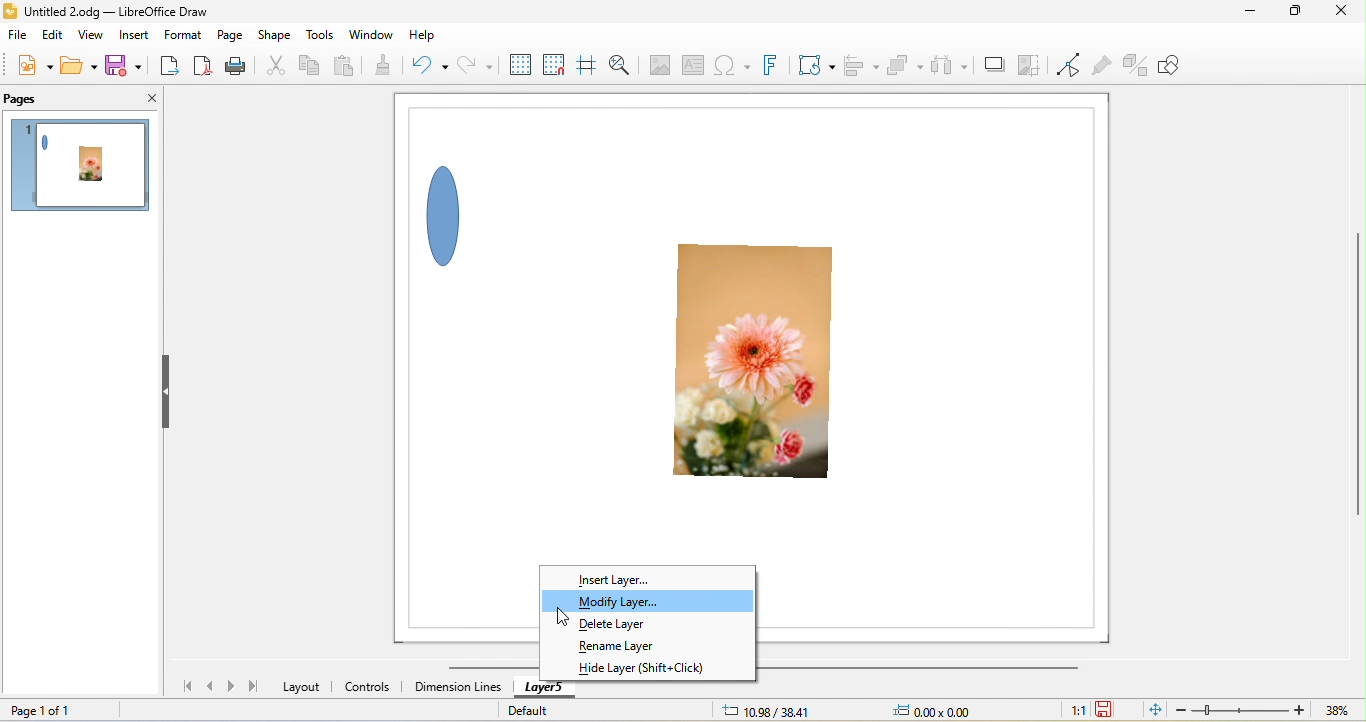  Describe the element at coordinates (211, 686) in the screenshot. I see `previous page` at that location.